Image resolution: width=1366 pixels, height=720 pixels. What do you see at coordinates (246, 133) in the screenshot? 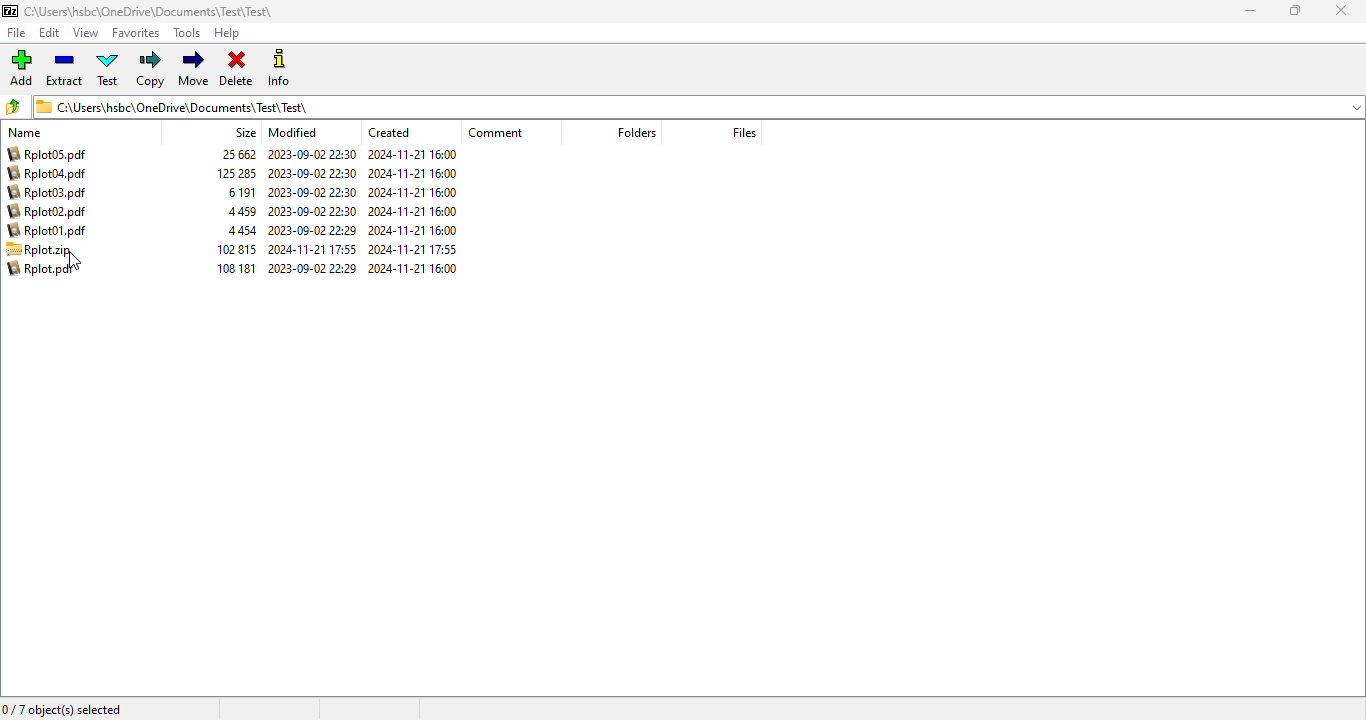
I see `size` at bounding box center [246, 133].